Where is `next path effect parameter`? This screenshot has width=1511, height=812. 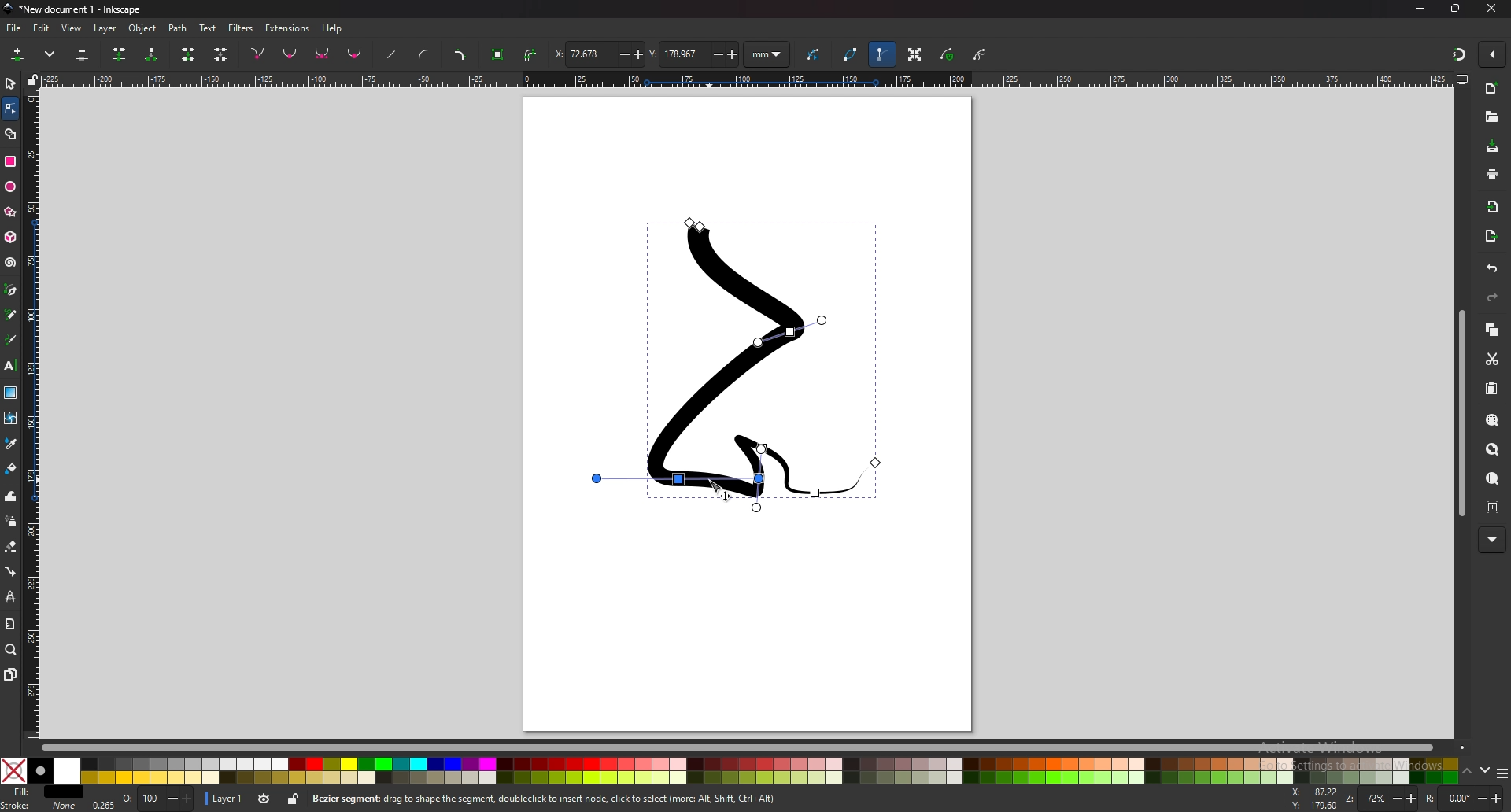
next path effect parameter is located at coordinates (815, 55).